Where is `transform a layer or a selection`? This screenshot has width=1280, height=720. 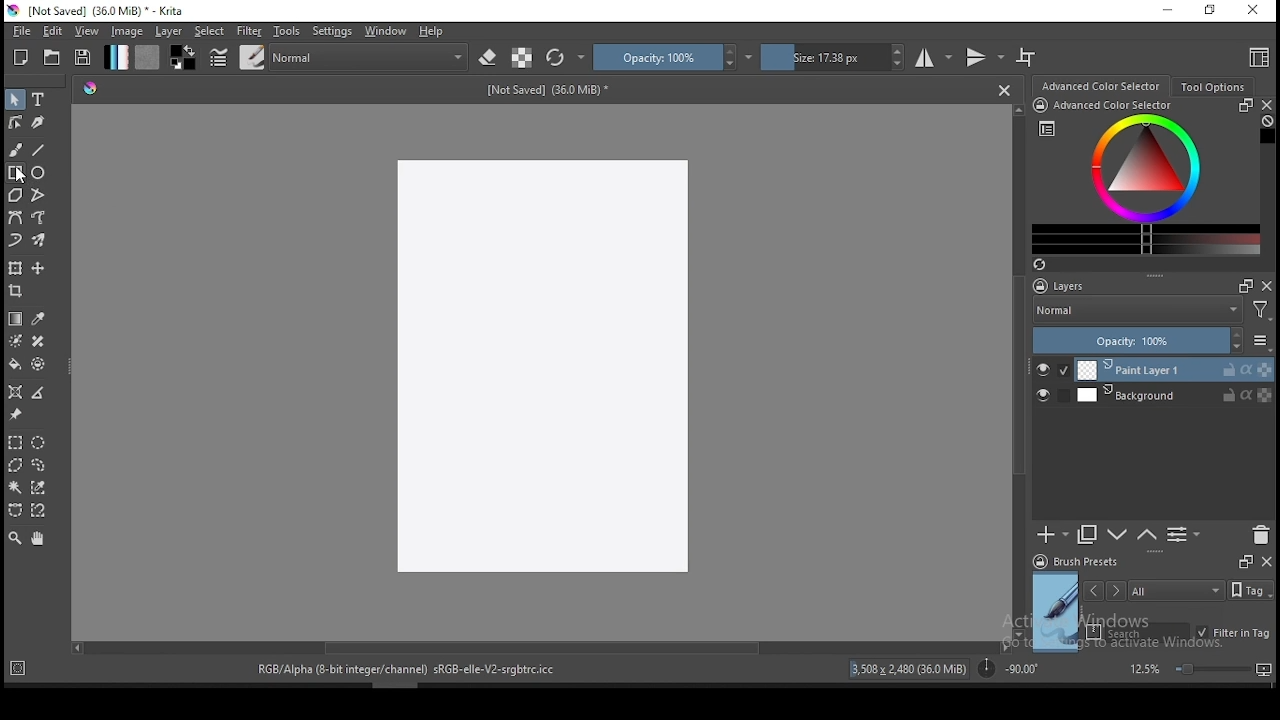 transform a layer or a selection is located at coordinates (15, 267).